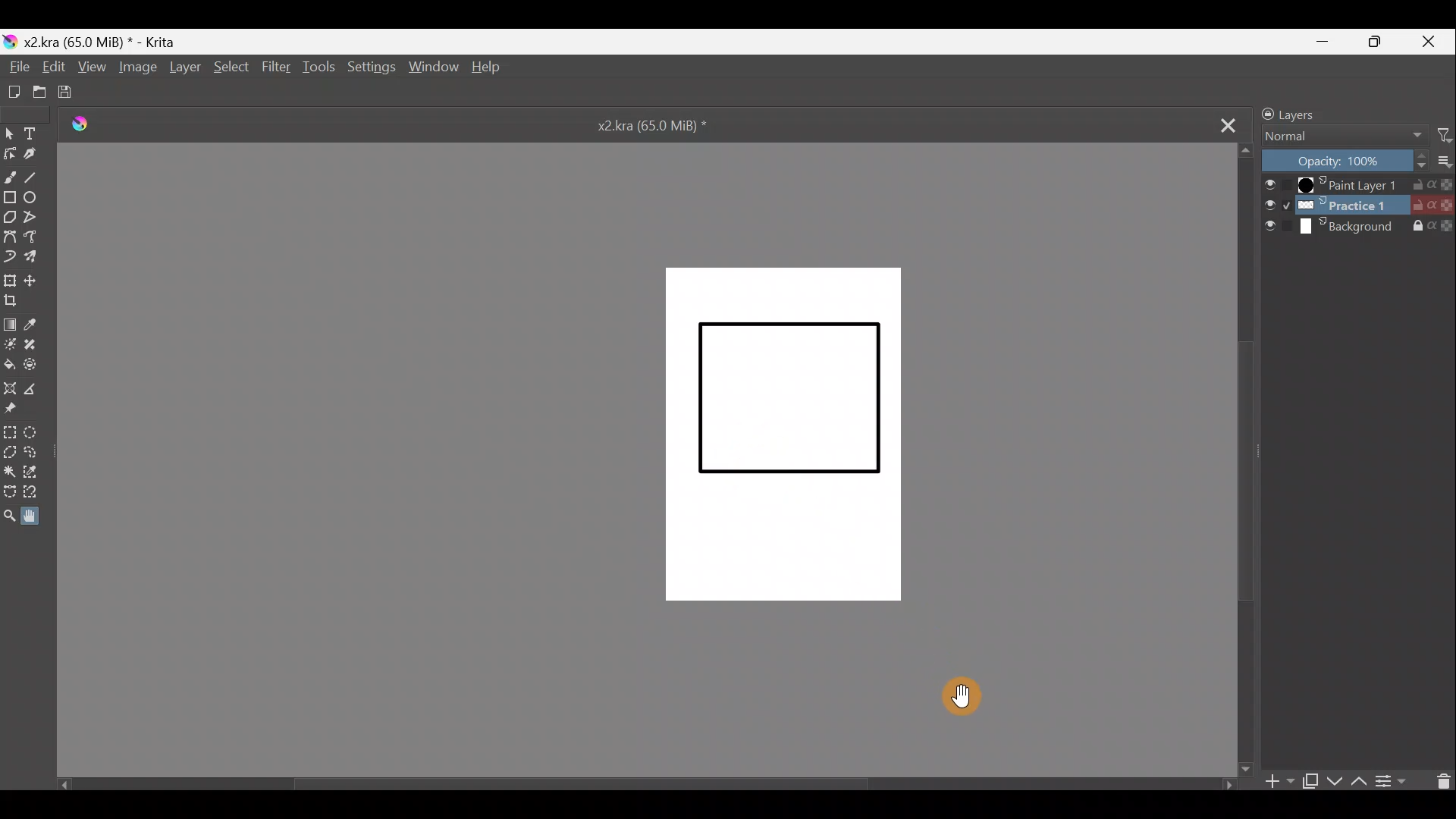  What do you see at coordinates (33, 389) in the screenshot?
I see `Measure distance between two points` at bounding box center [33, 389].